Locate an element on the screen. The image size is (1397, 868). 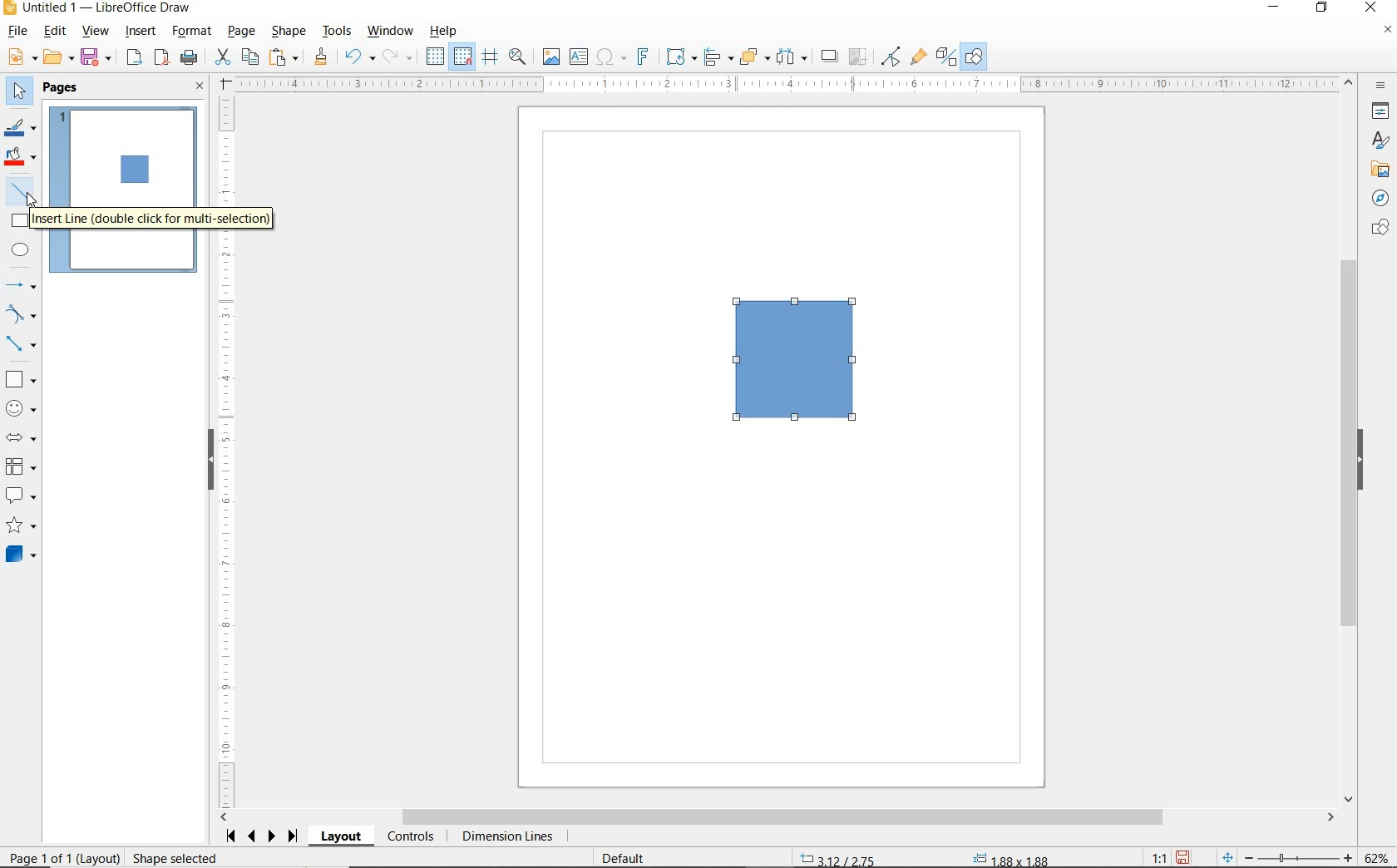
STYLES is located at coordinates (1376, 141).